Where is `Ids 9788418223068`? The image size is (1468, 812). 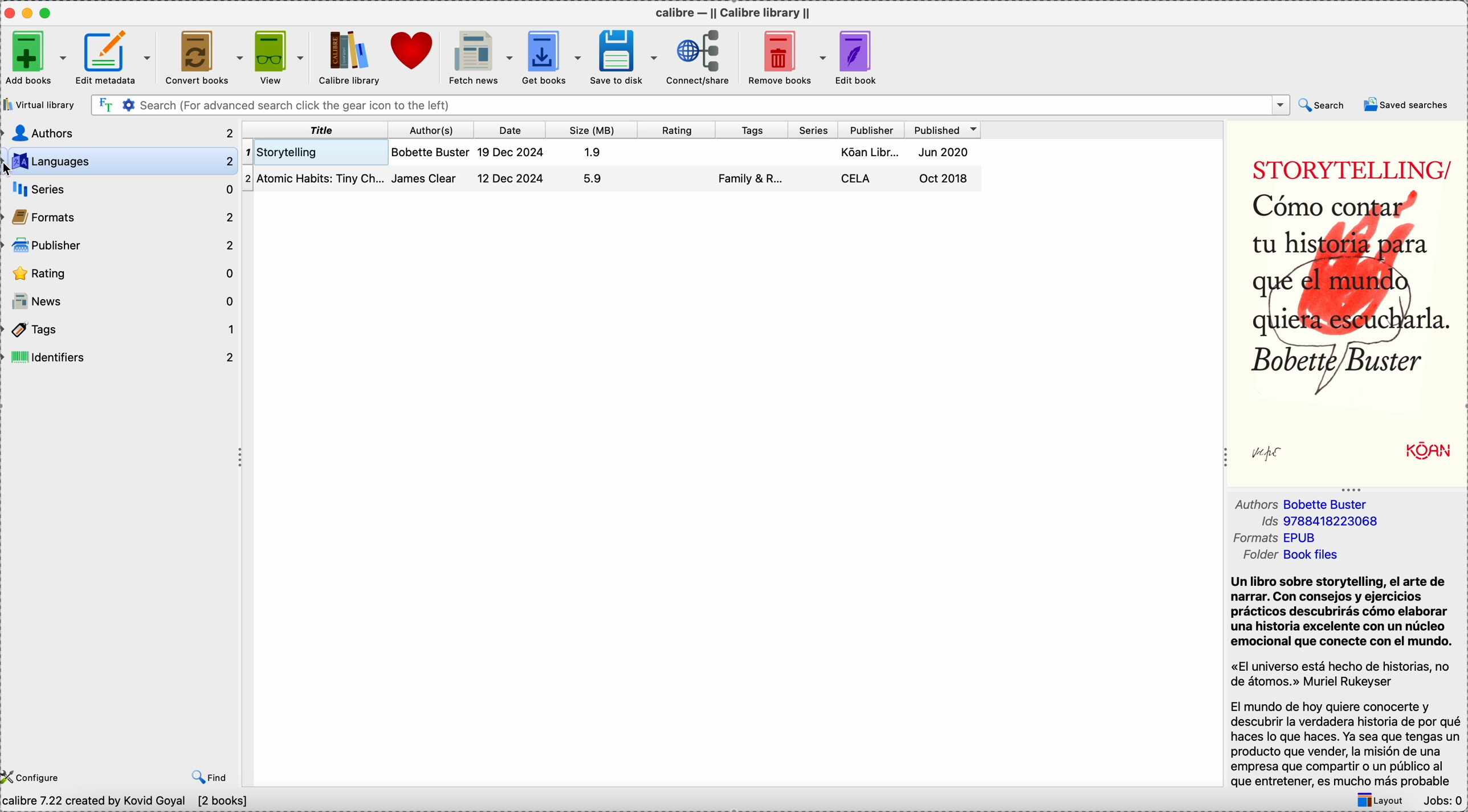
Ids 9788418223068 is located at coordinates (1316, 521).